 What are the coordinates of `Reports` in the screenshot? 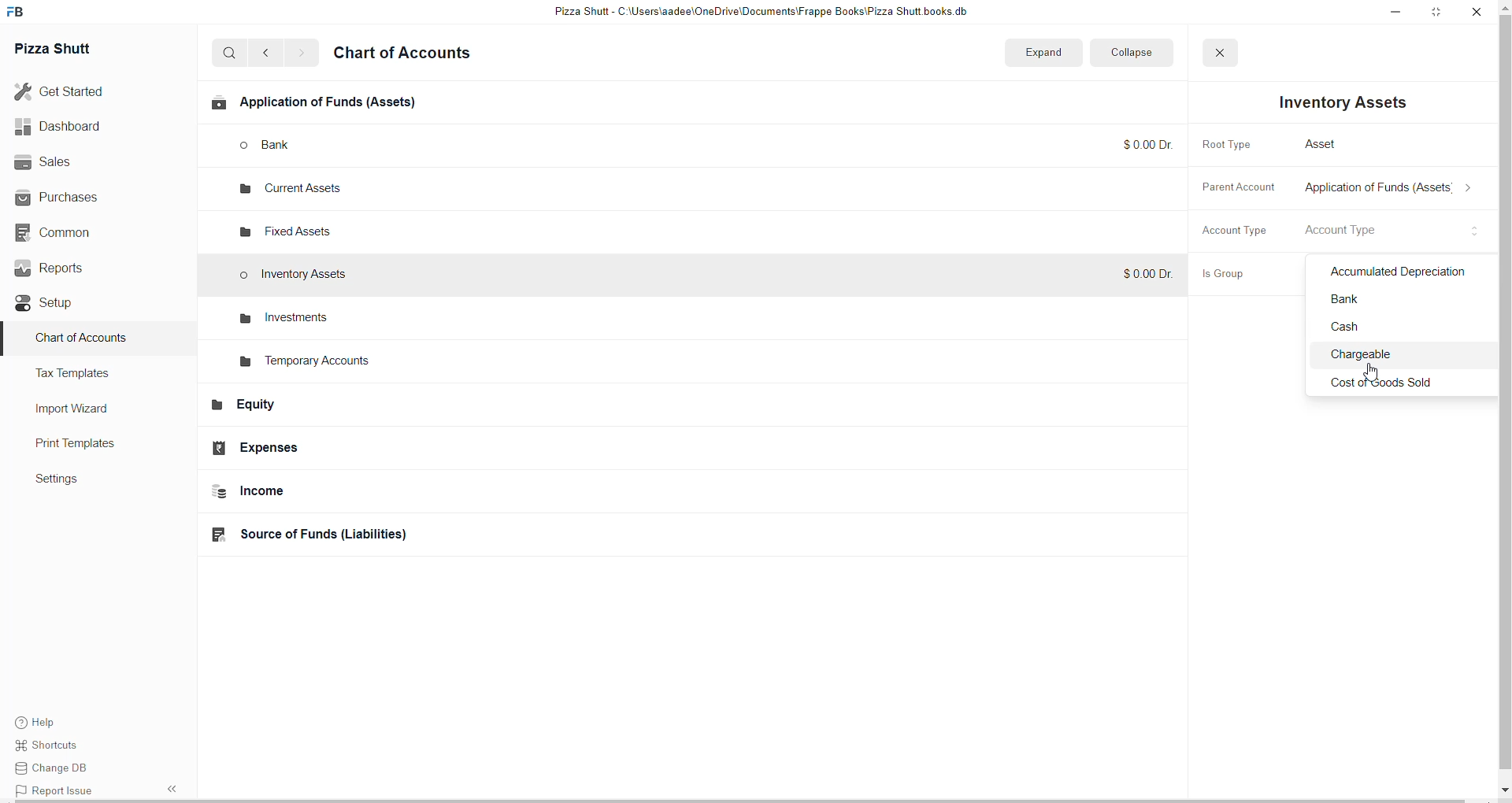 It's located at (69, 270).